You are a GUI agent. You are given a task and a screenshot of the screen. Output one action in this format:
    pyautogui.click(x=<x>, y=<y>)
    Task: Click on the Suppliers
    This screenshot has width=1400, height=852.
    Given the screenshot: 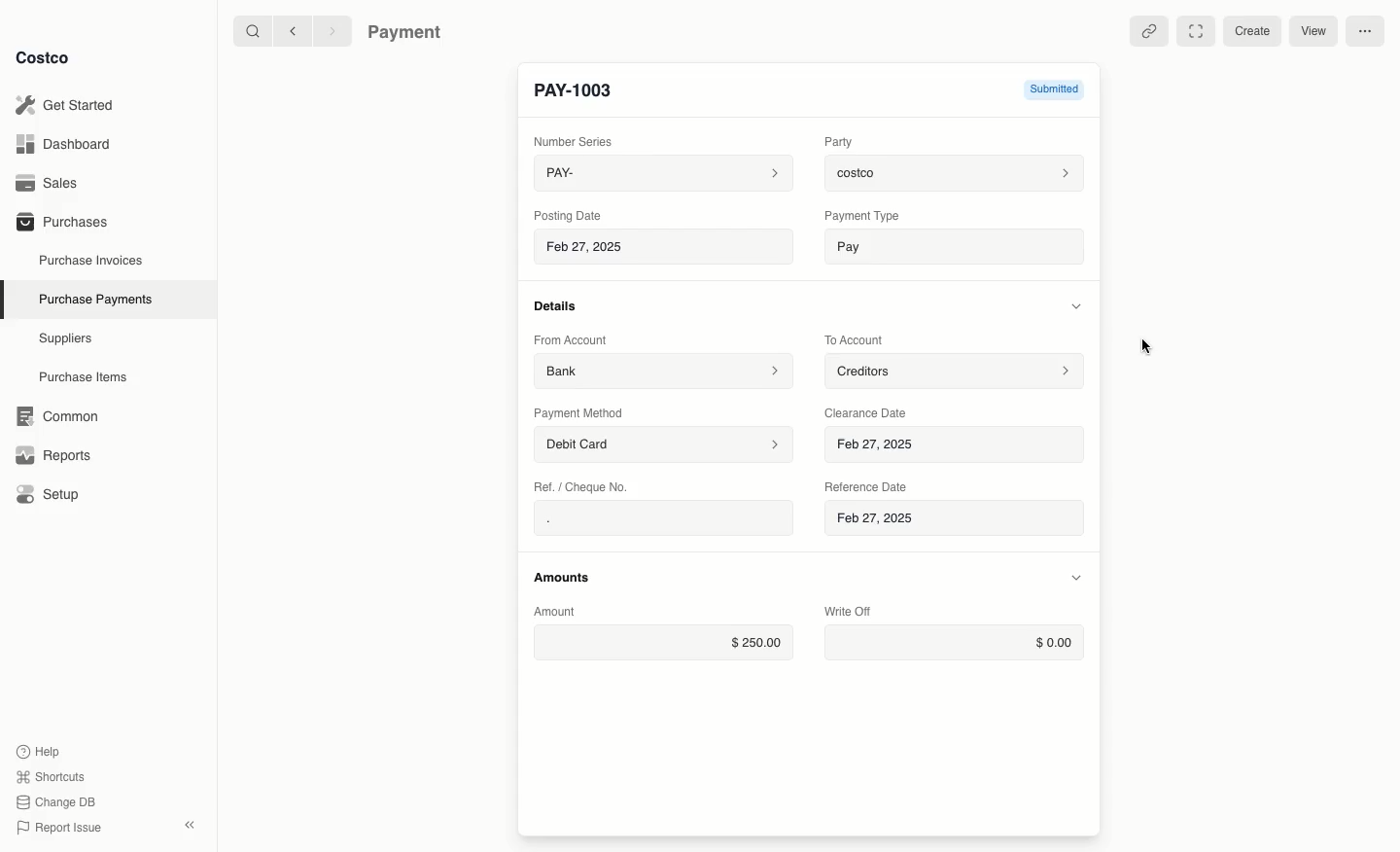 What is the action you would take?
    pyautogui.click(x=66, y=337)
    